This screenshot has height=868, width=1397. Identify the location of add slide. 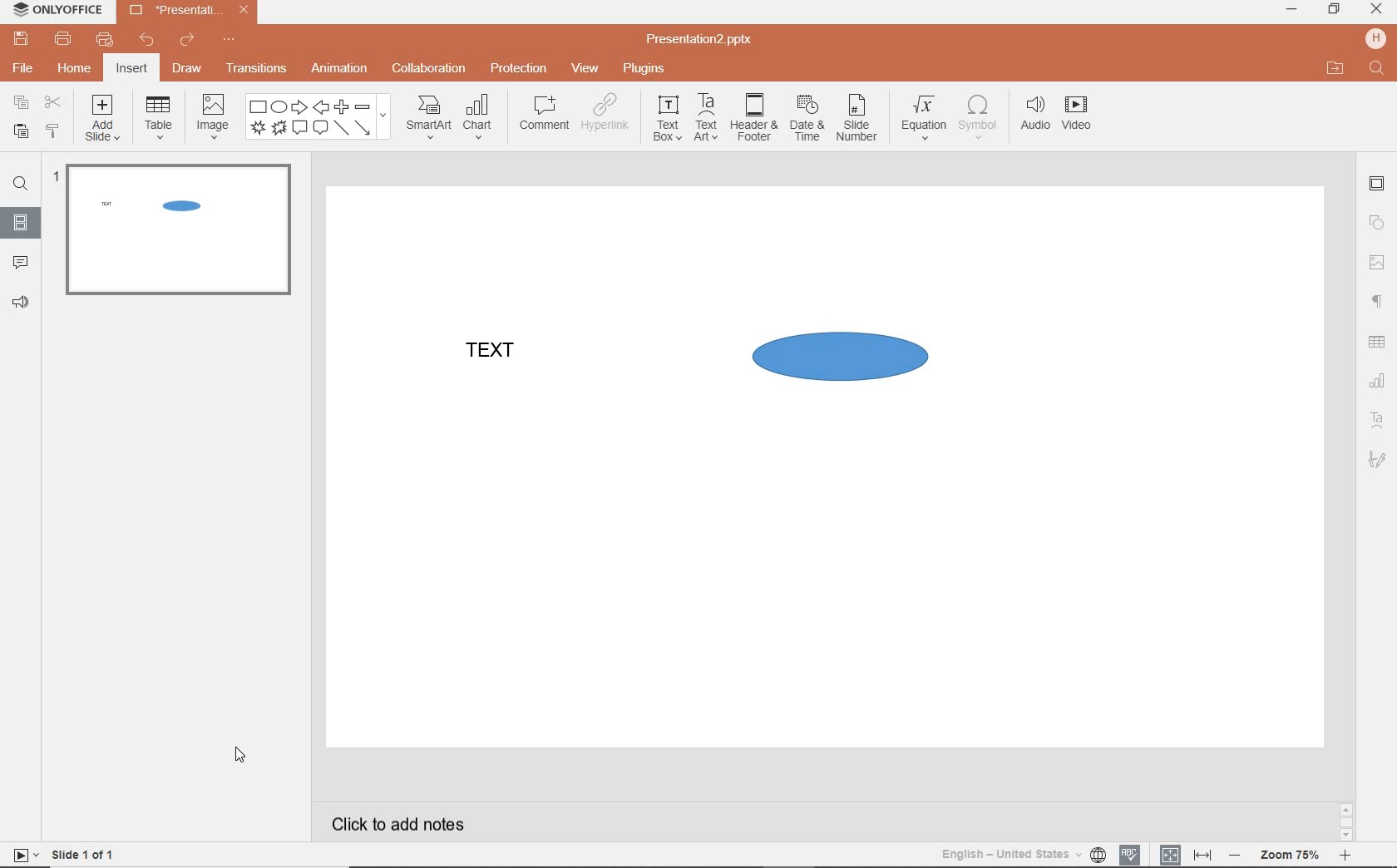
(103, 121).